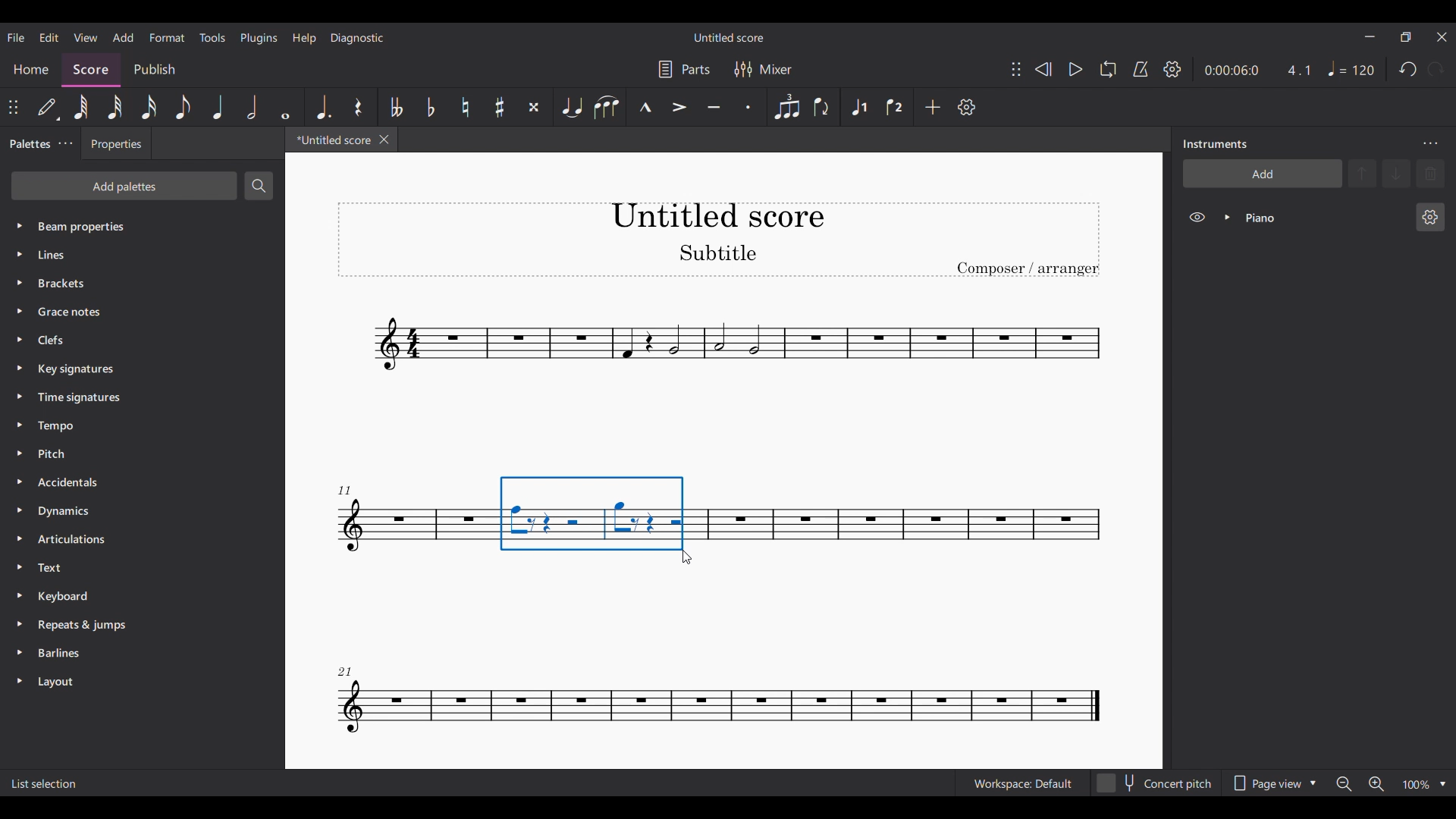  Describe the element at coordinates (894, 107) in the screenshot. I see `Voice 2` at that location.